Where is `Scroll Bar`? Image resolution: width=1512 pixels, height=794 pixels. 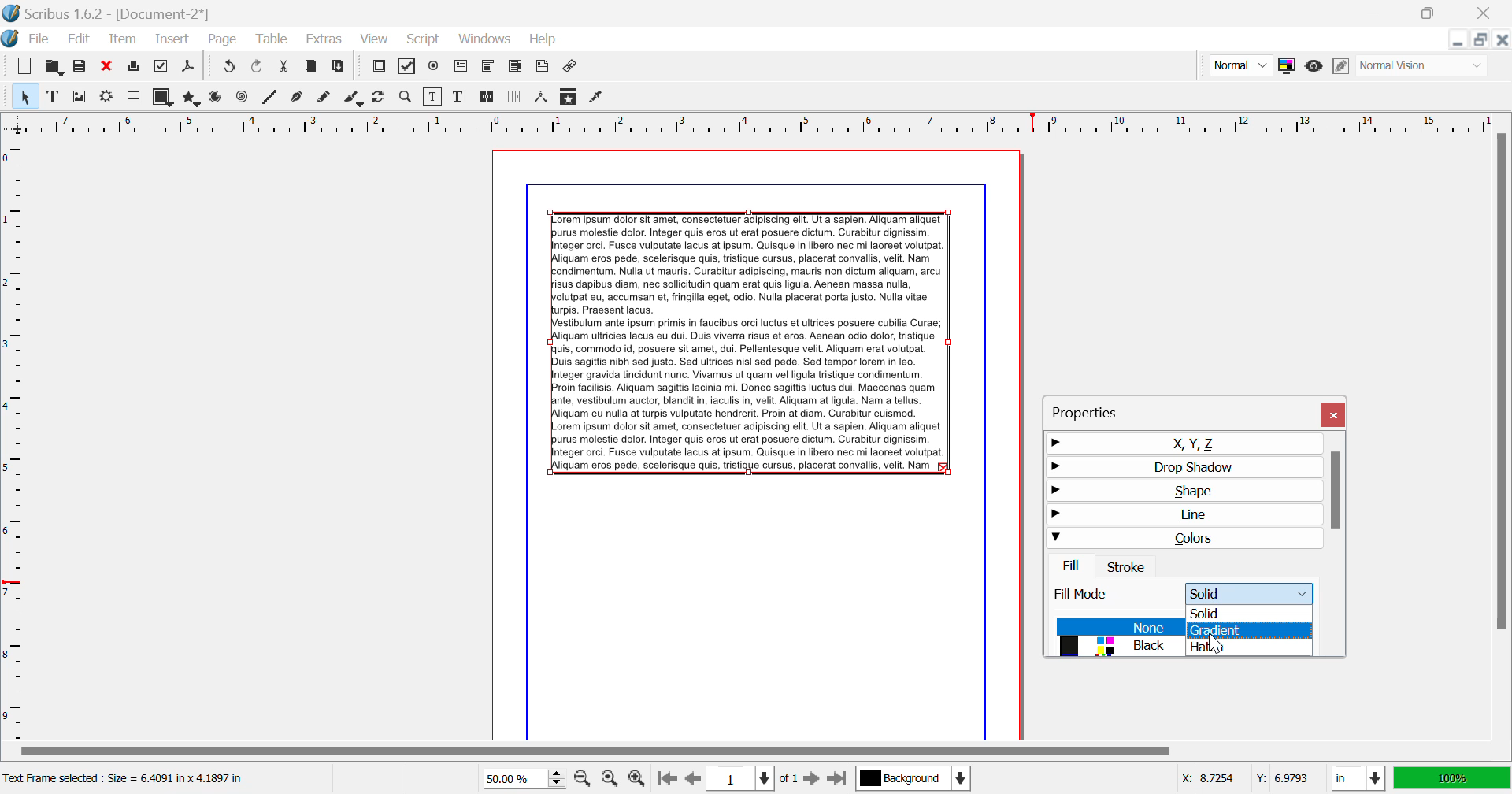
Scroll Bar is located at coordinates (1336, 544).